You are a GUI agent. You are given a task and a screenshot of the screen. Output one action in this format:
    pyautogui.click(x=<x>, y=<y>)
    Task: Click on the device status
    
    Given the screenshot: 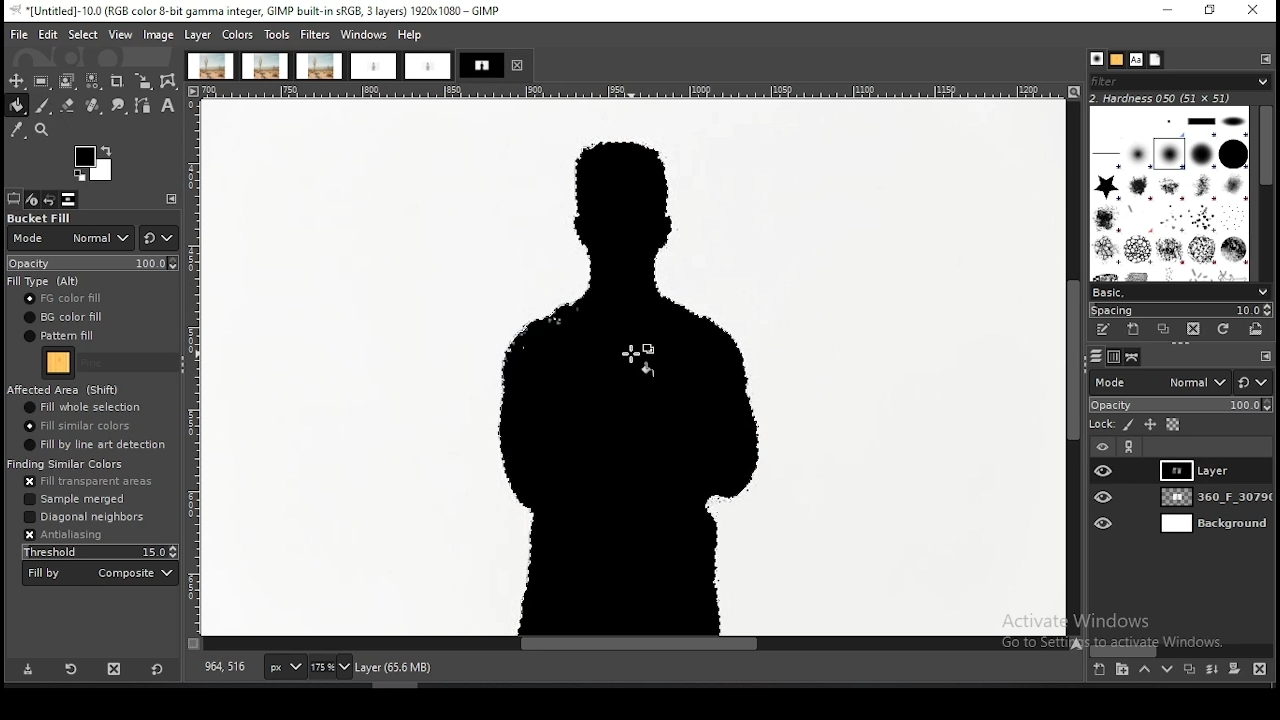 What is the action you would take?
    pyautogui.click(x=32, y=200)
    